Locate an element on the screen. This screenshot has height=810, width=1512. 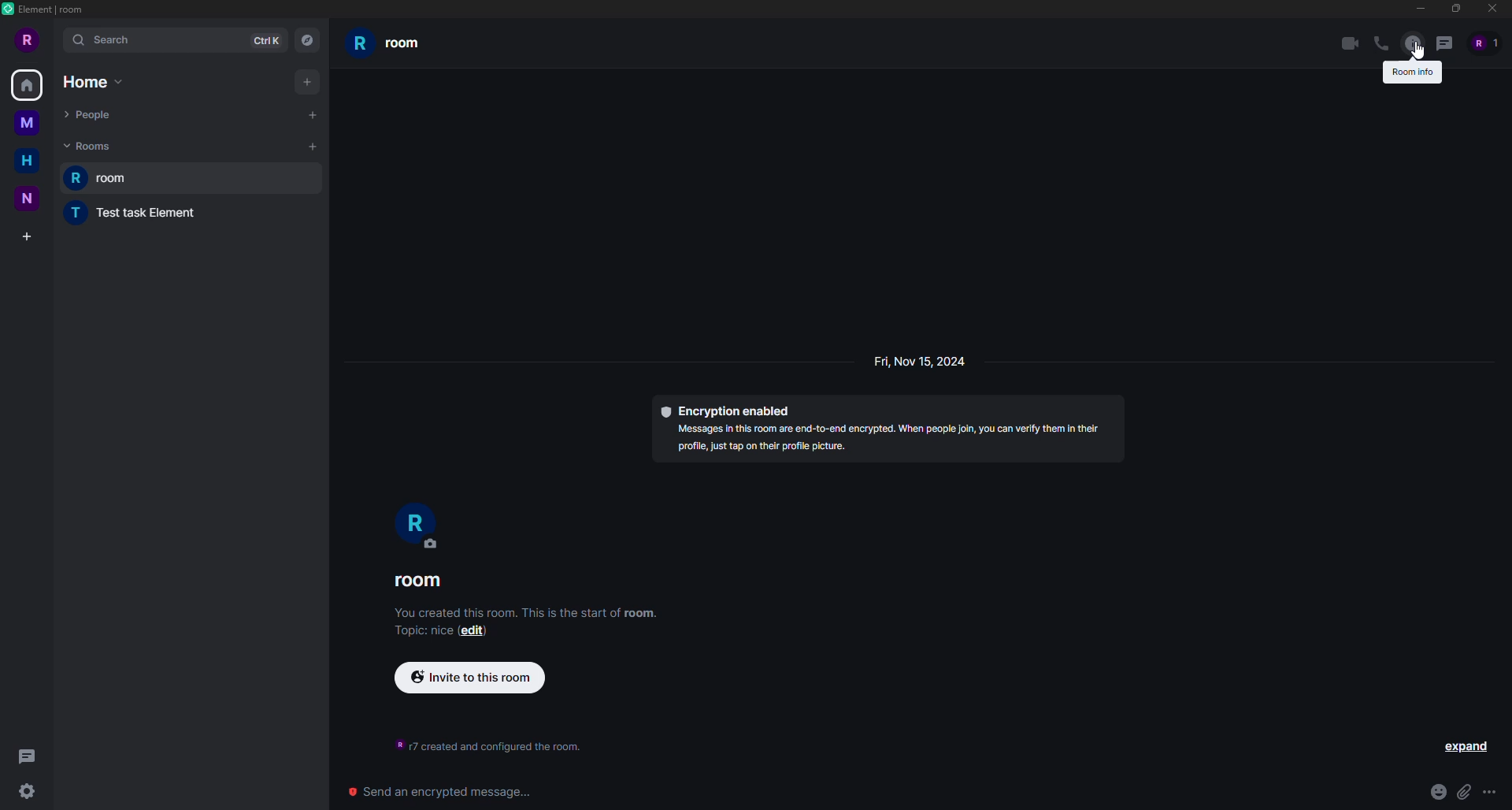
test task element is located at coordinates (127, 215).